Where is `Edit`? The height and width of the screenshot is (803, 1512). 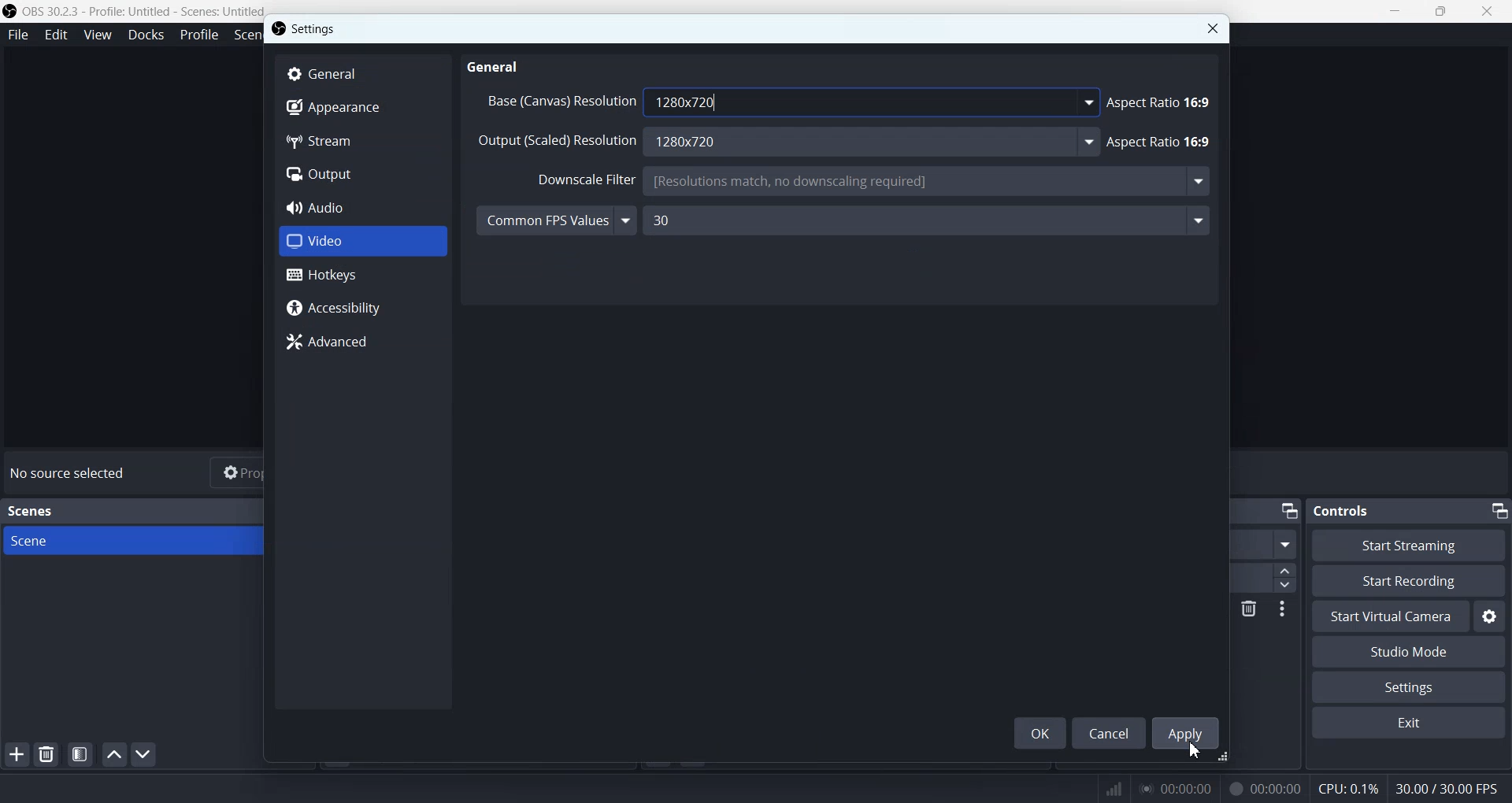 Edit is located at coordinates (57, 36).